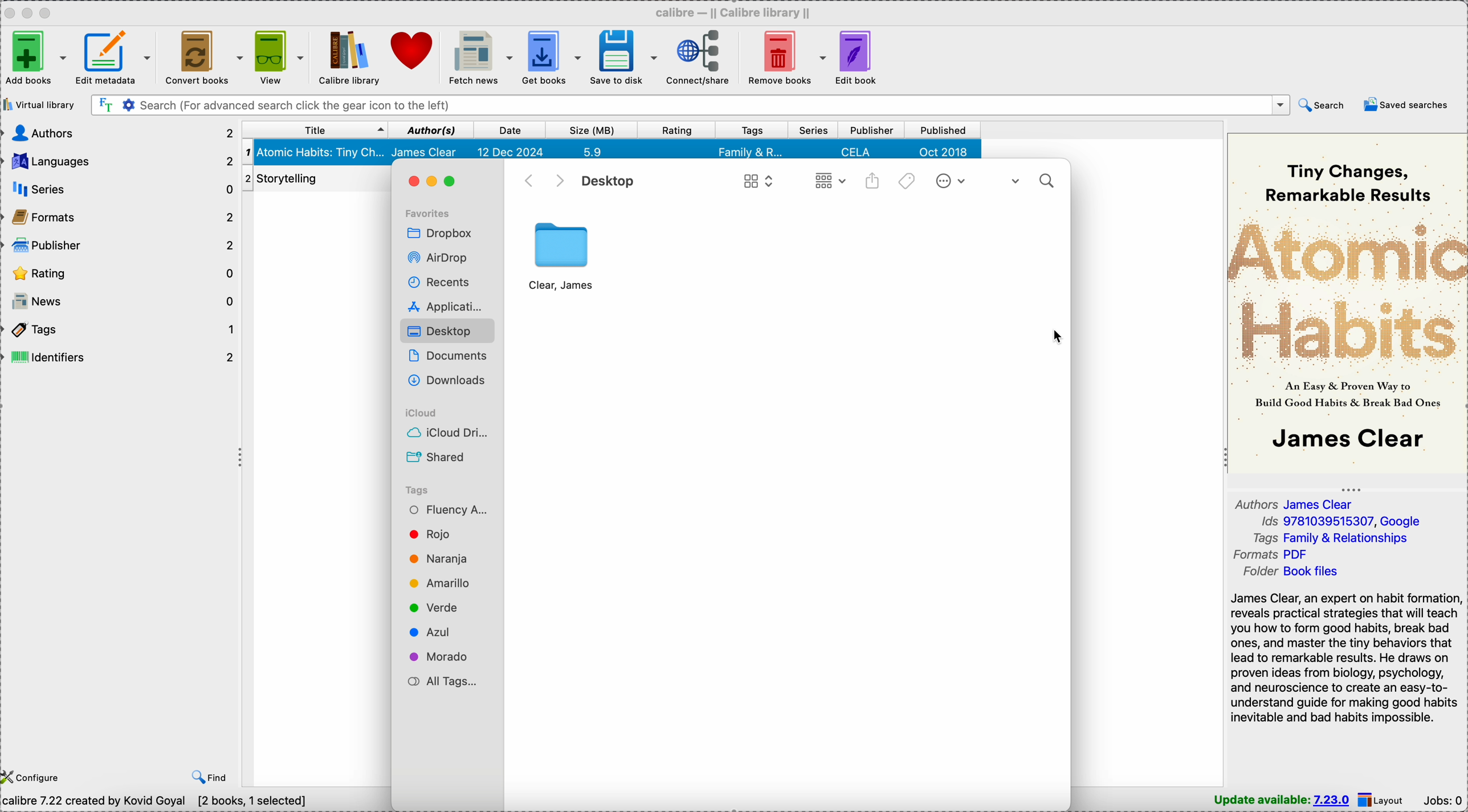  I want to click on authors, so click(119, 132).